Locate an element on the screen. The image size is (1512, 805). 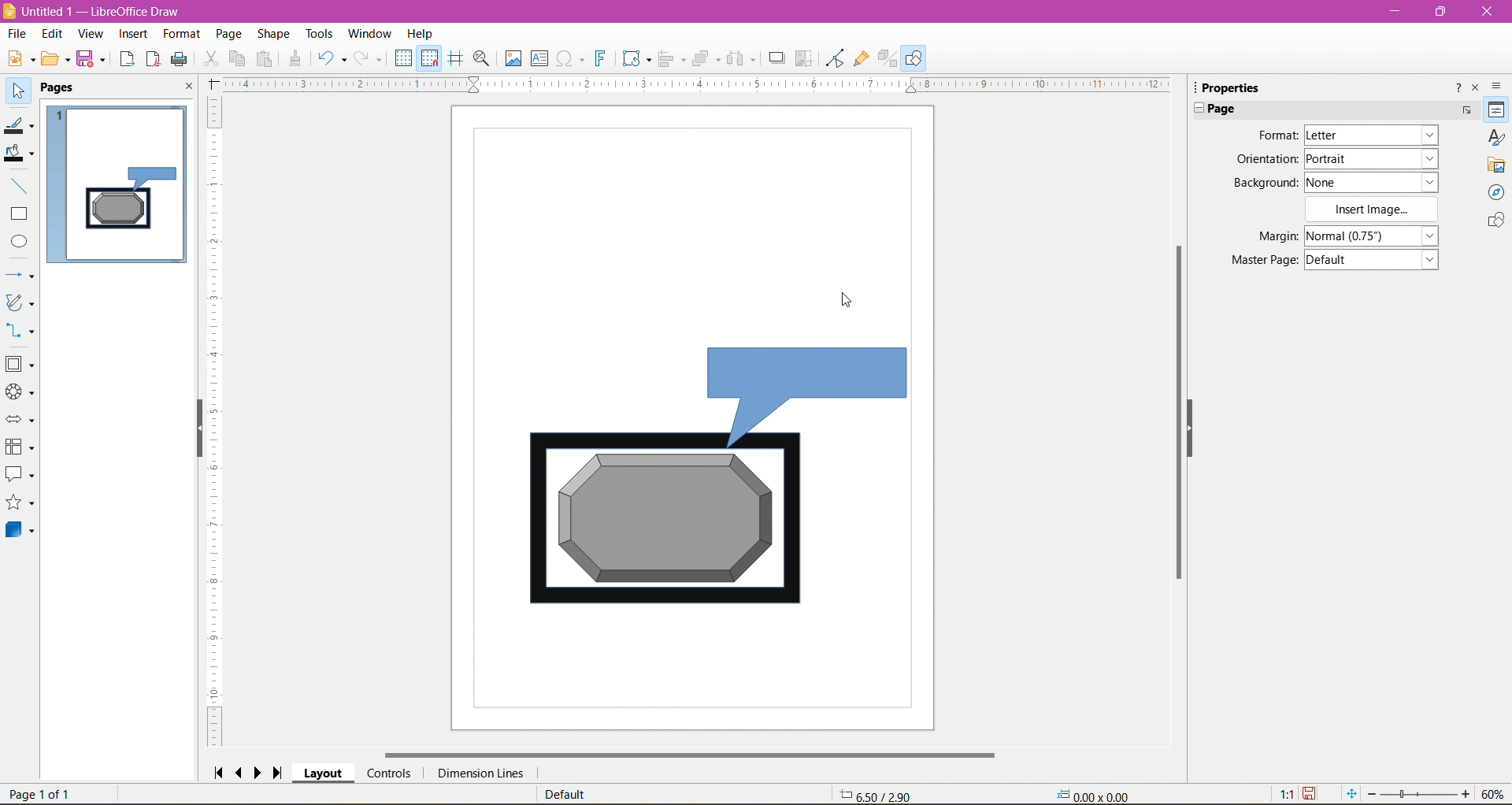
Export directly as PDF is located at coordinates (153, 59).